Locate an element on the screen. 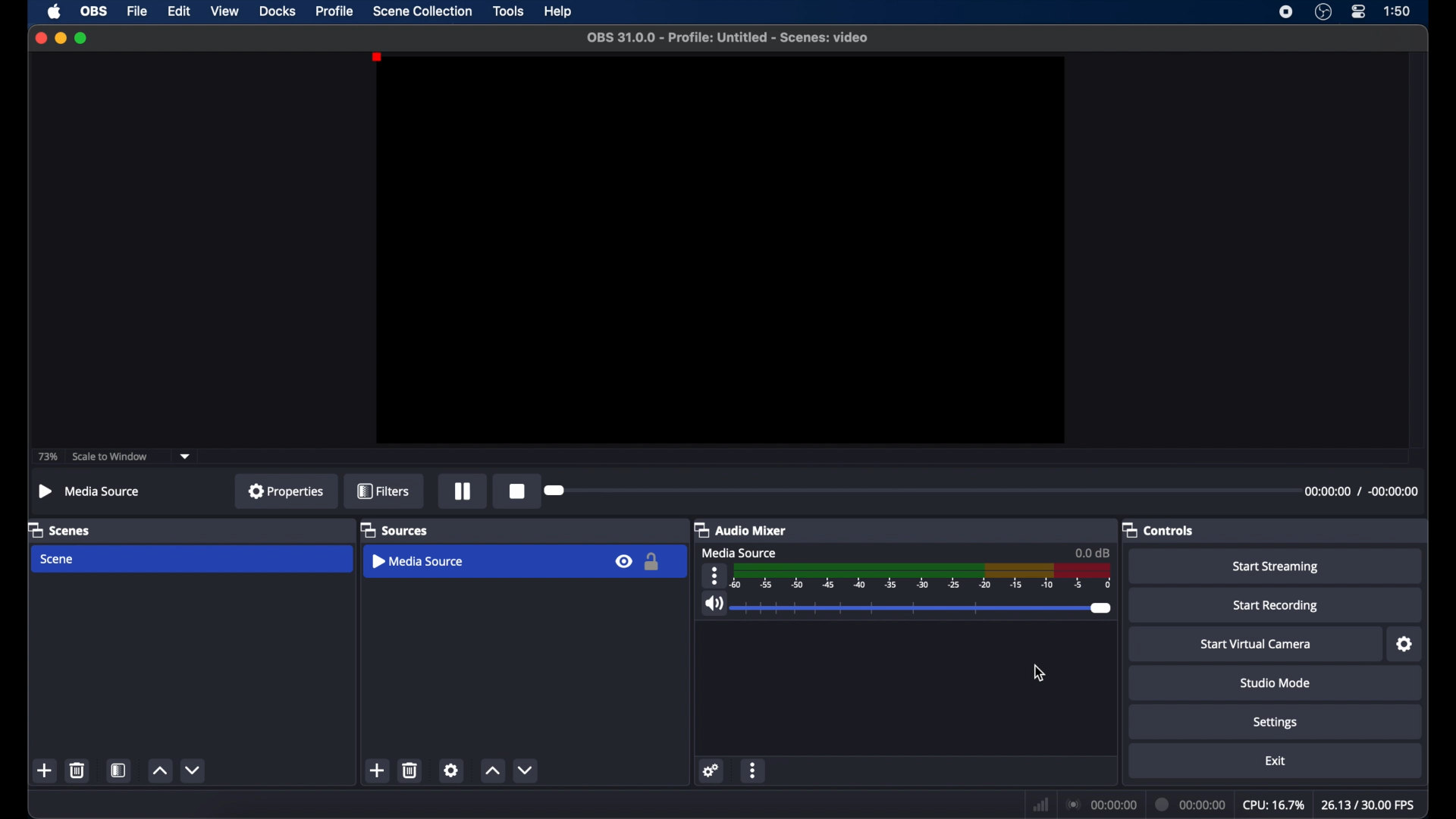 Image resolution: width=1456 pixels, height=819 pixels. Down is located at coordinates (187, 456).